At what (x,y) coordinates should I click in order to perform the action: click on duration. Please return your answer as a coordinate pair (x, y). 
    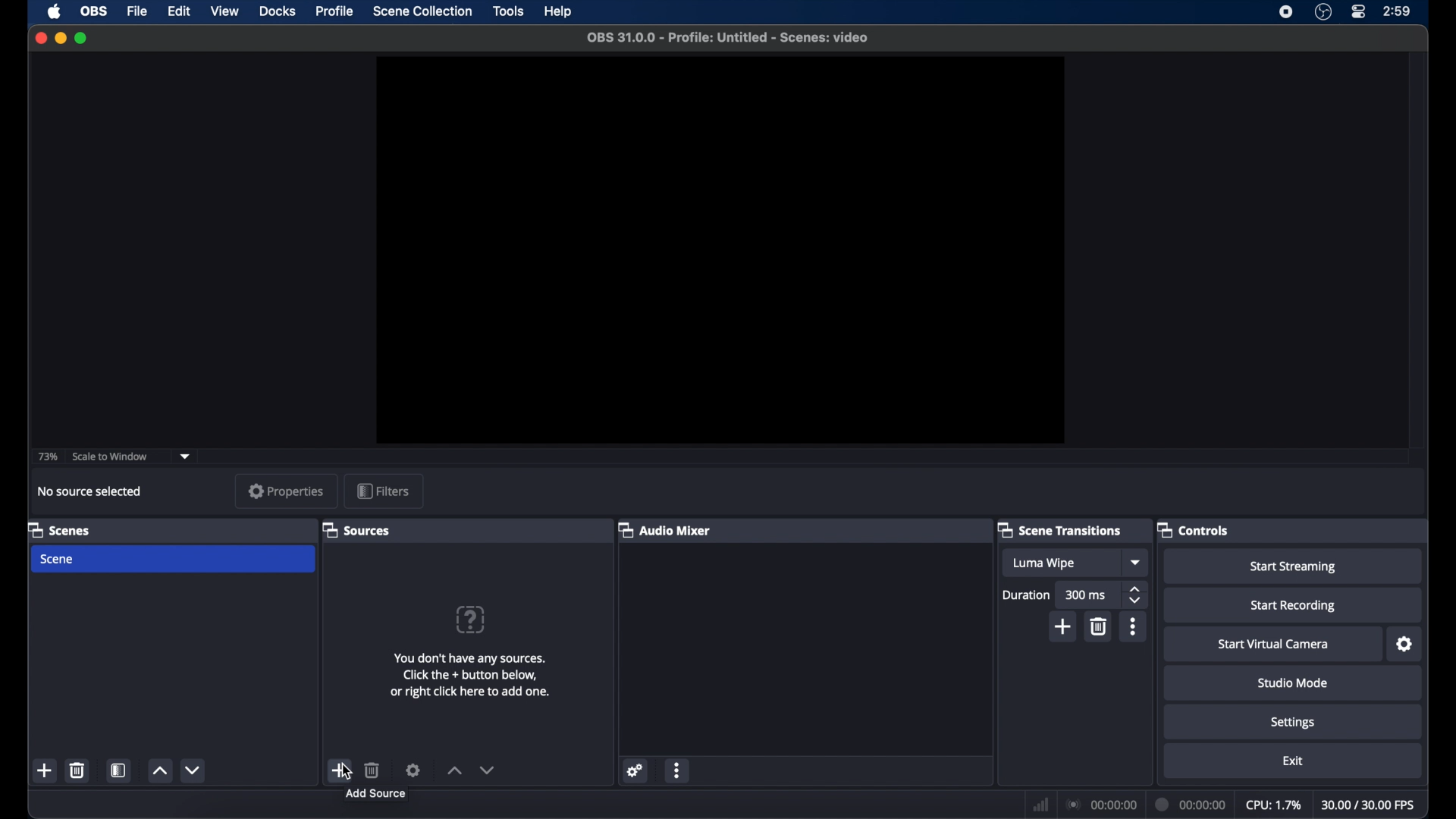
    Looking at the image, I should click on (1027, 596).